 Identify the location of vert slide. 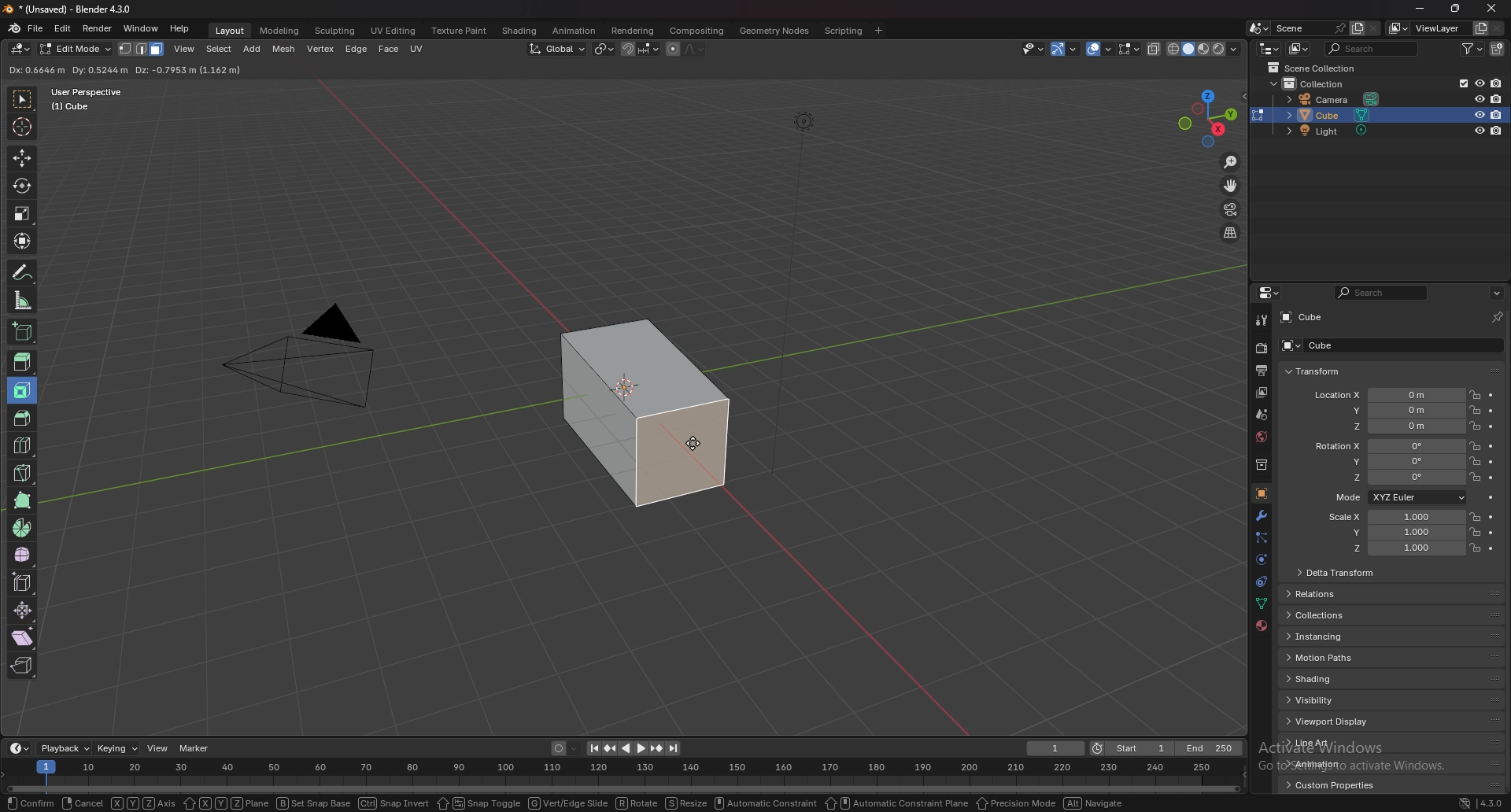
(569, 802).